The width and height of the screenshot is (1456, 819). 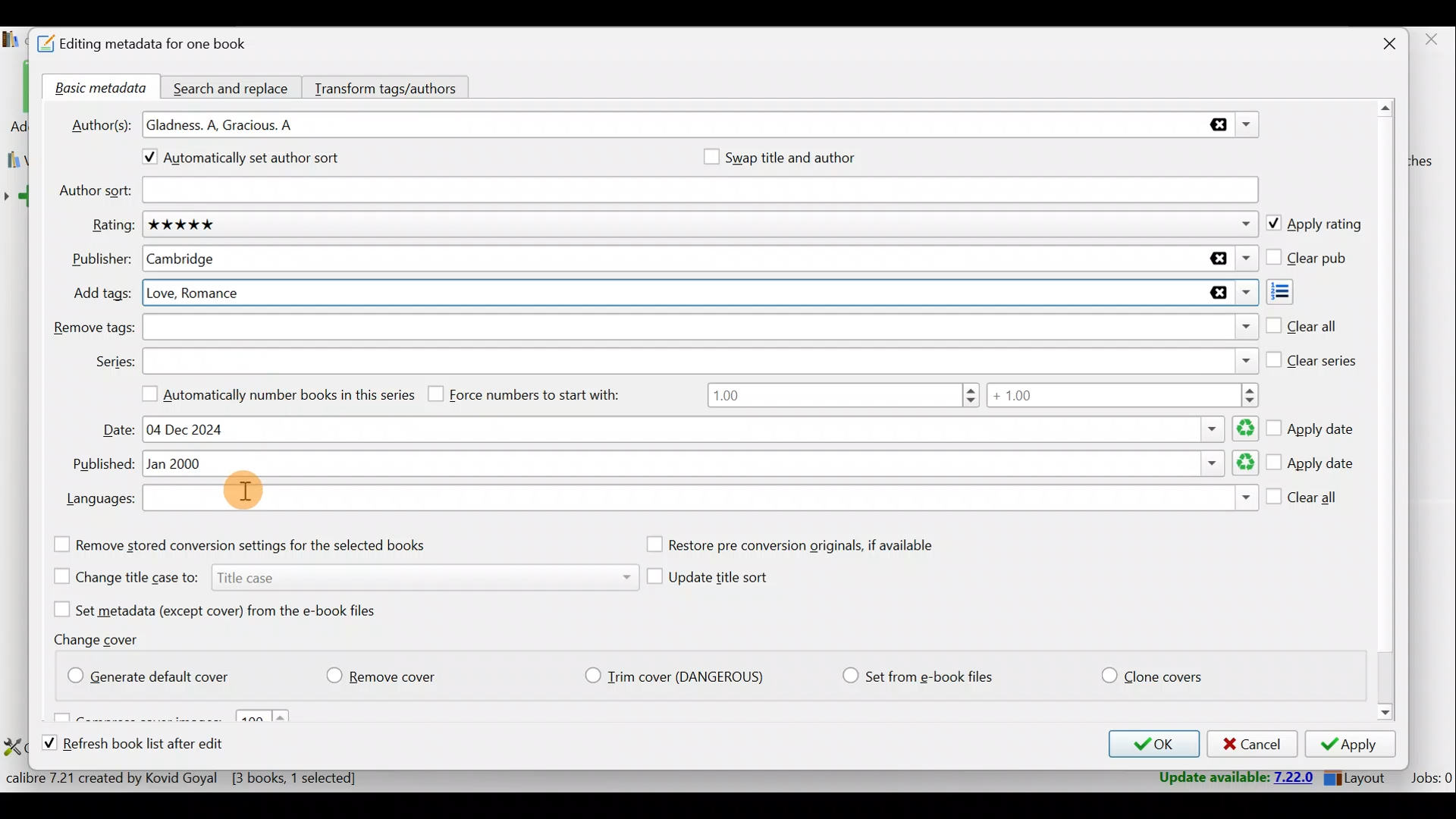 I want to click on Clear all, so click(x=1304, y=500).